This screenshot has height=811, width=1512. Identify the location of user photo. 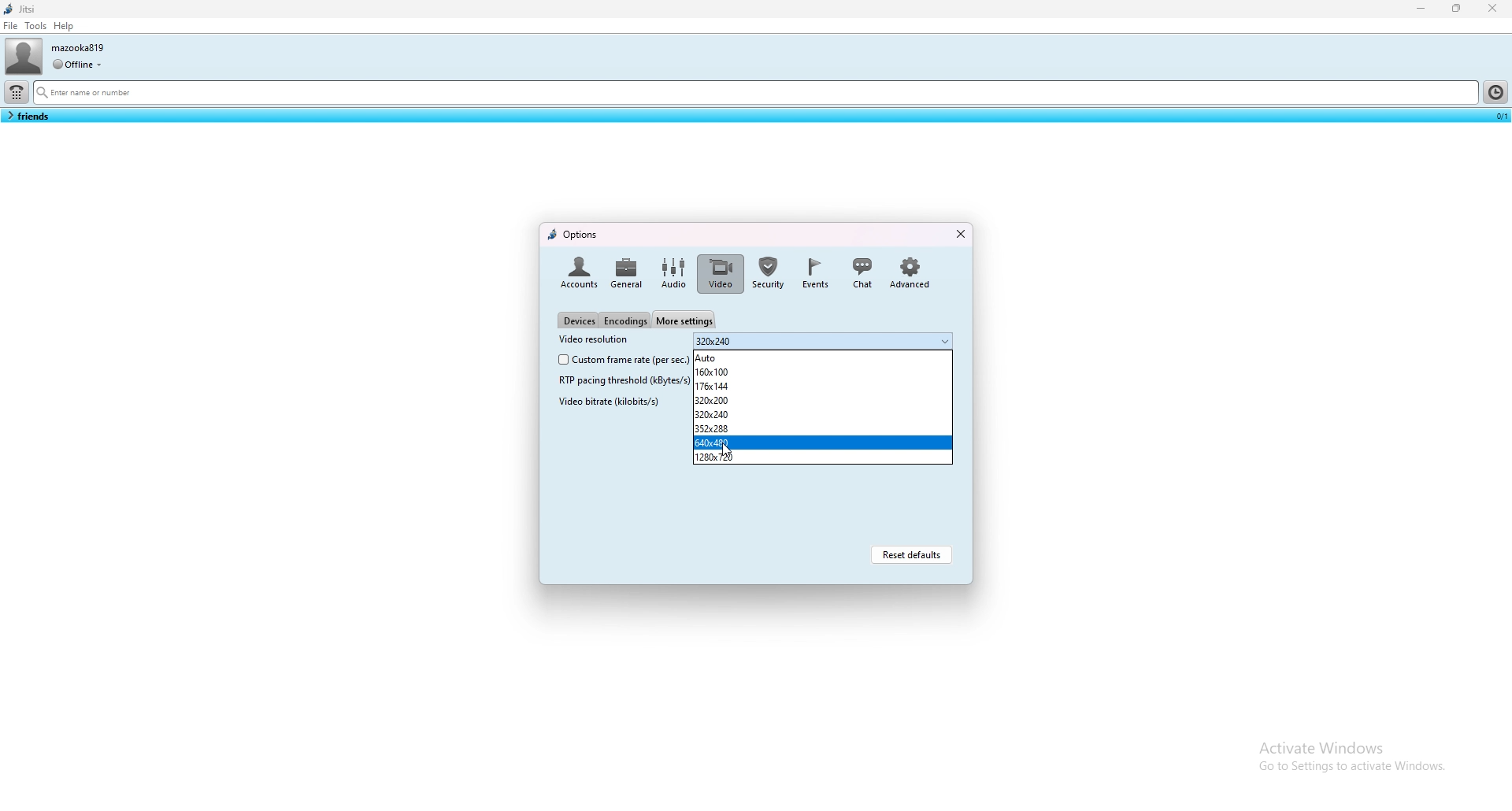
(23, 56).